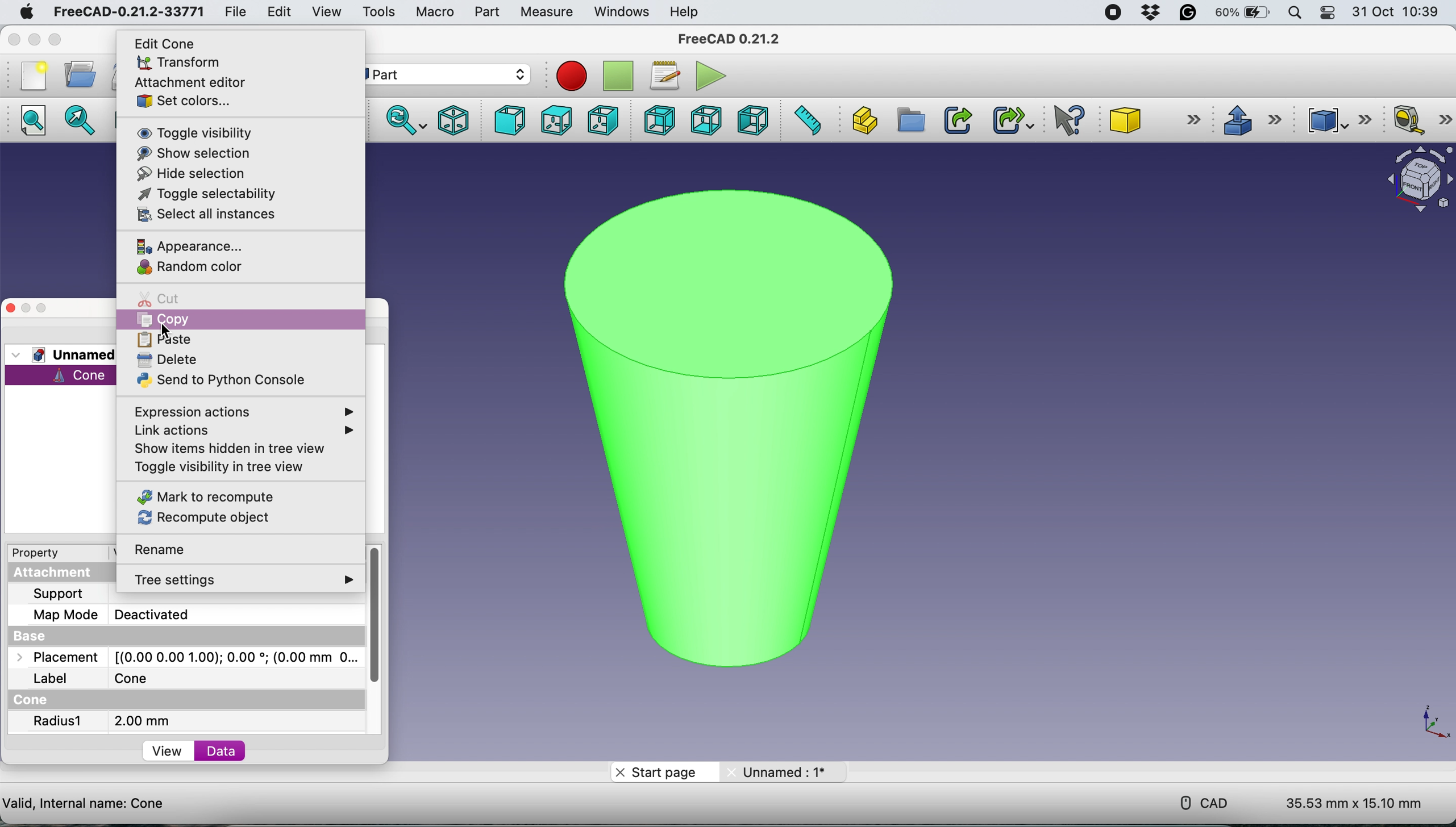  What do you see at coordinates (226, 470) in the screenshot?
I see `toggle visibility in tree view` at bounding box center [226, 470].